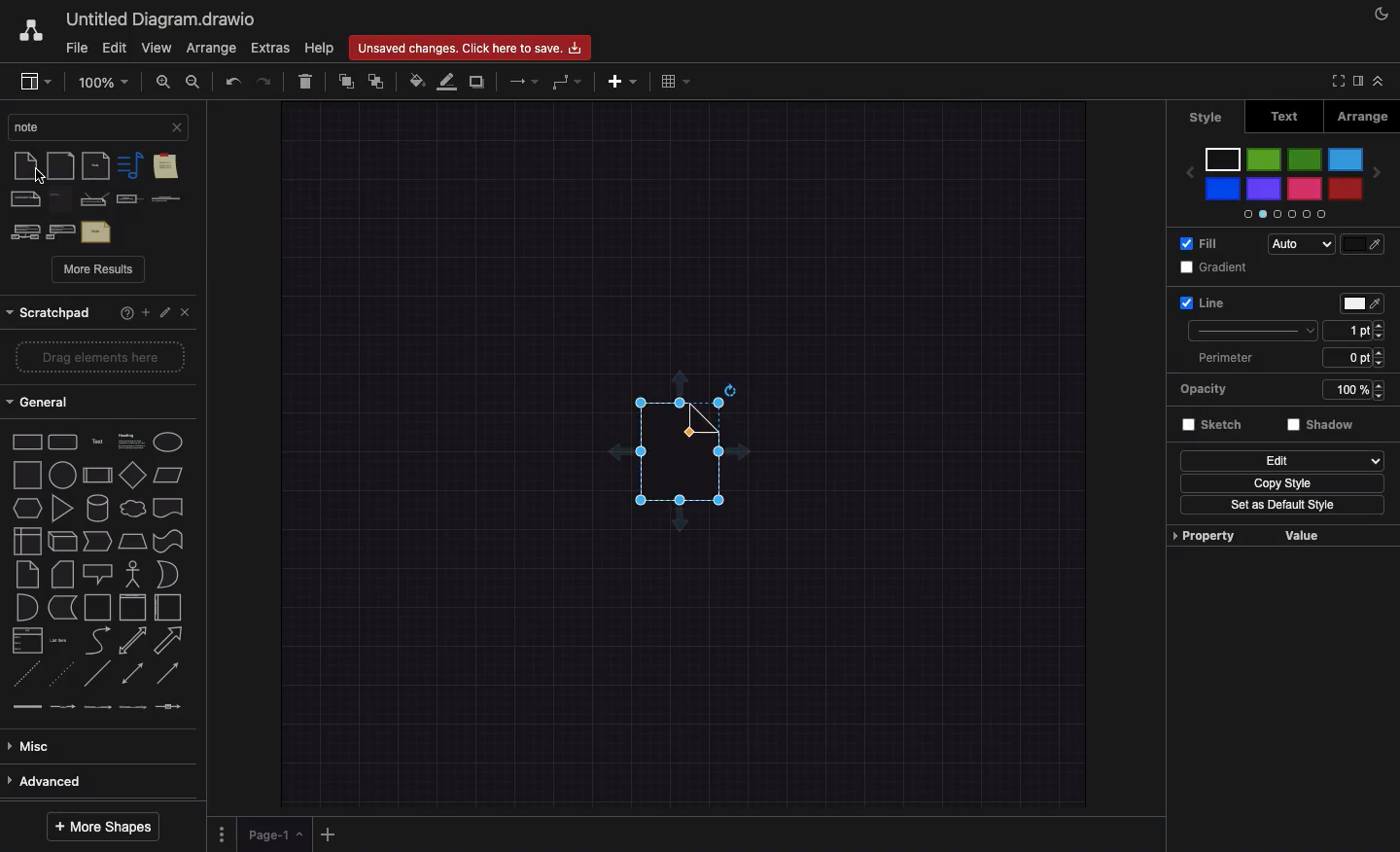 The image size is (1400, 852). I want to click on Draw.io, so click(33, 30).